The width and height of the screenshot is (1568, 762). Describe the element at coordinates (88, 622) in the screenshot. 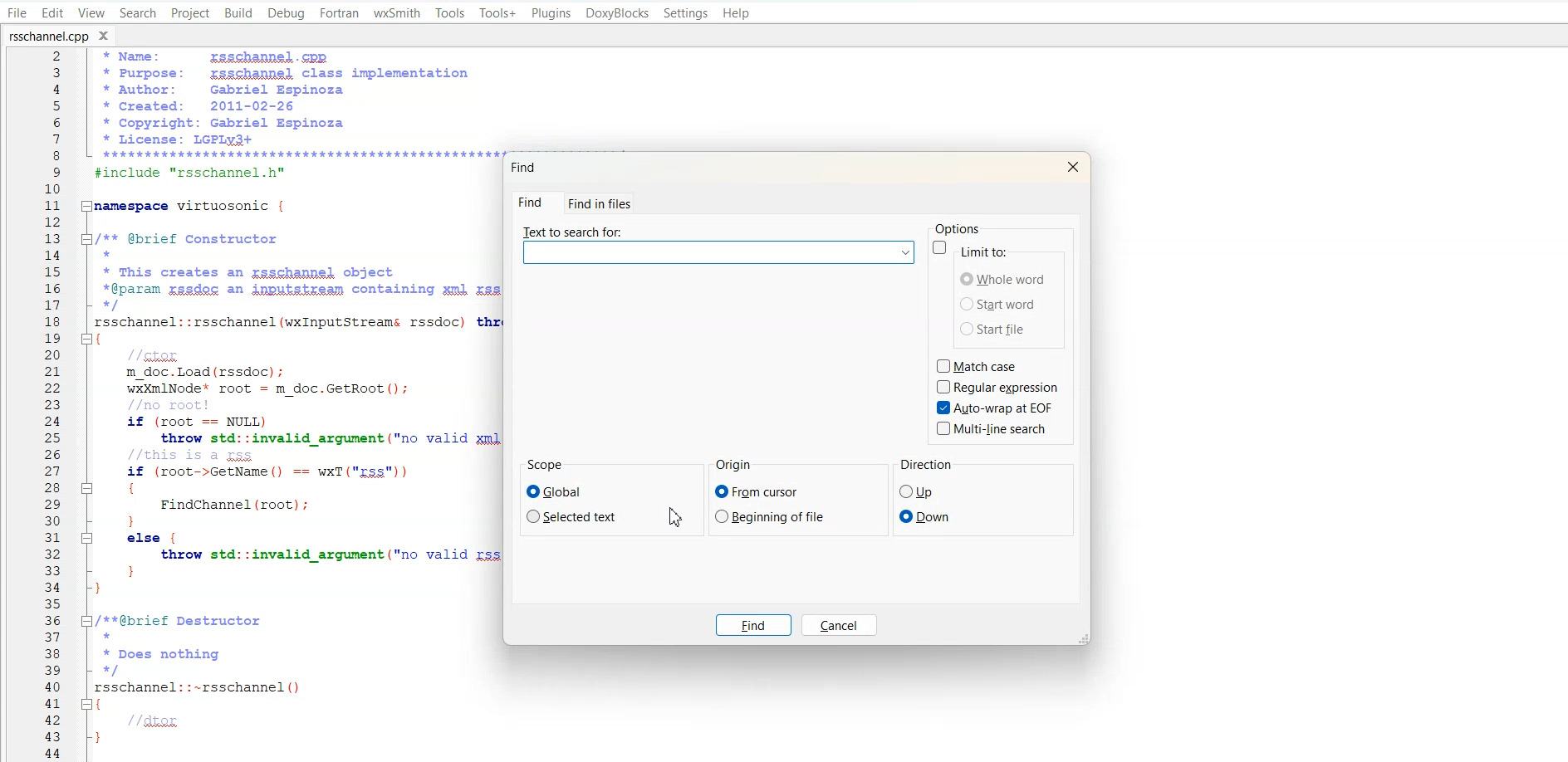

I see `Collapse` at that location.